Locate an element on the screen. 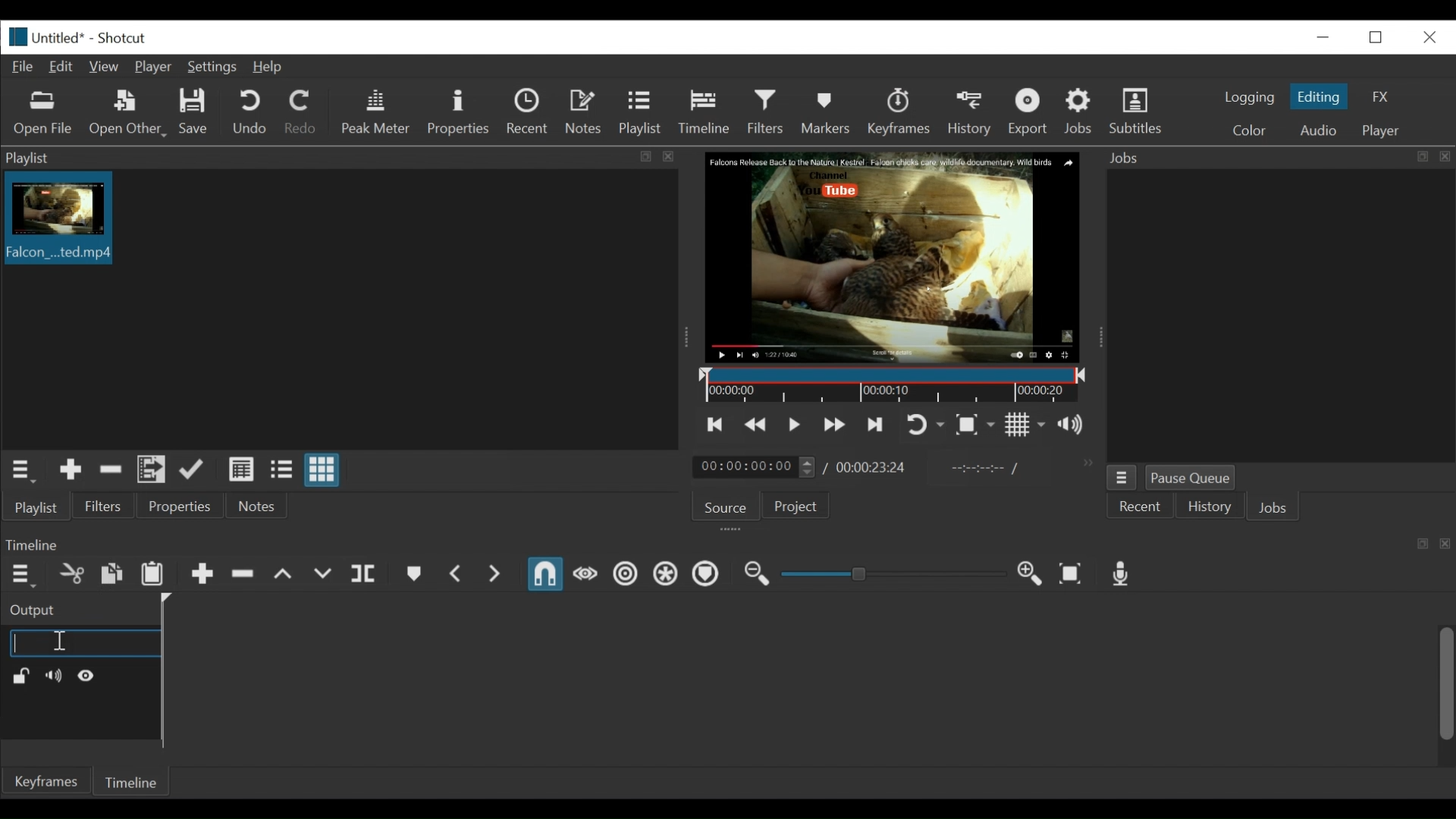 This screenshot has width=1456, height=819. Ripple all tracks is located at coordinates (665, 574).